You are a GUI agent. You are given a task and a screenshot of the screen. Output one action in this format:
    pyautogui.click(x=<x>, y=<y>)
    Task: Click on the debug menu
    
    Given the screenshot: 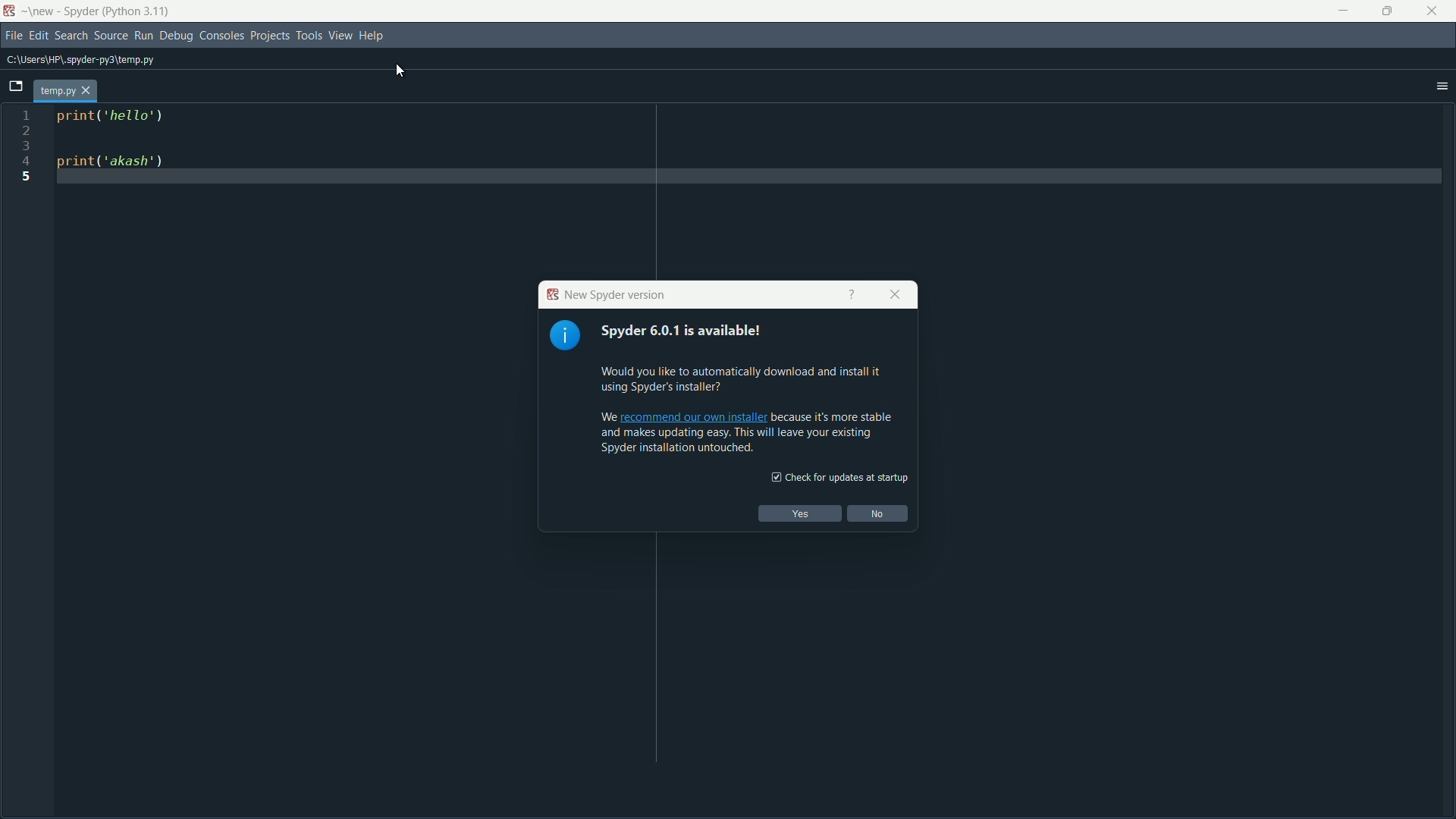 What is the action you would take?
    pyautogui.click(x=177, y=34)
    